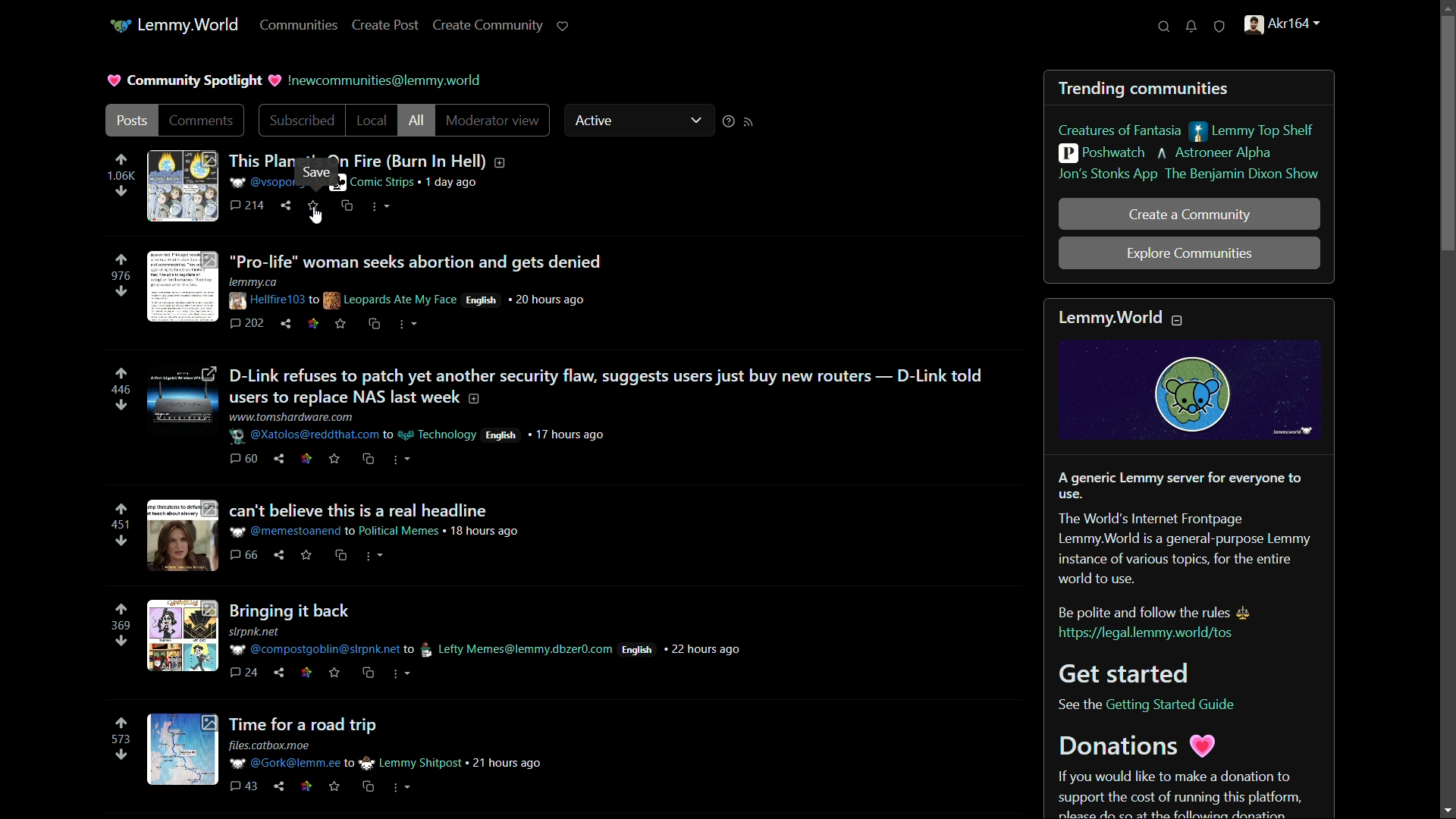 Image resolution: width=1456 pixels, height=819 pixels. I want to click on downvote, so click(120, 756).